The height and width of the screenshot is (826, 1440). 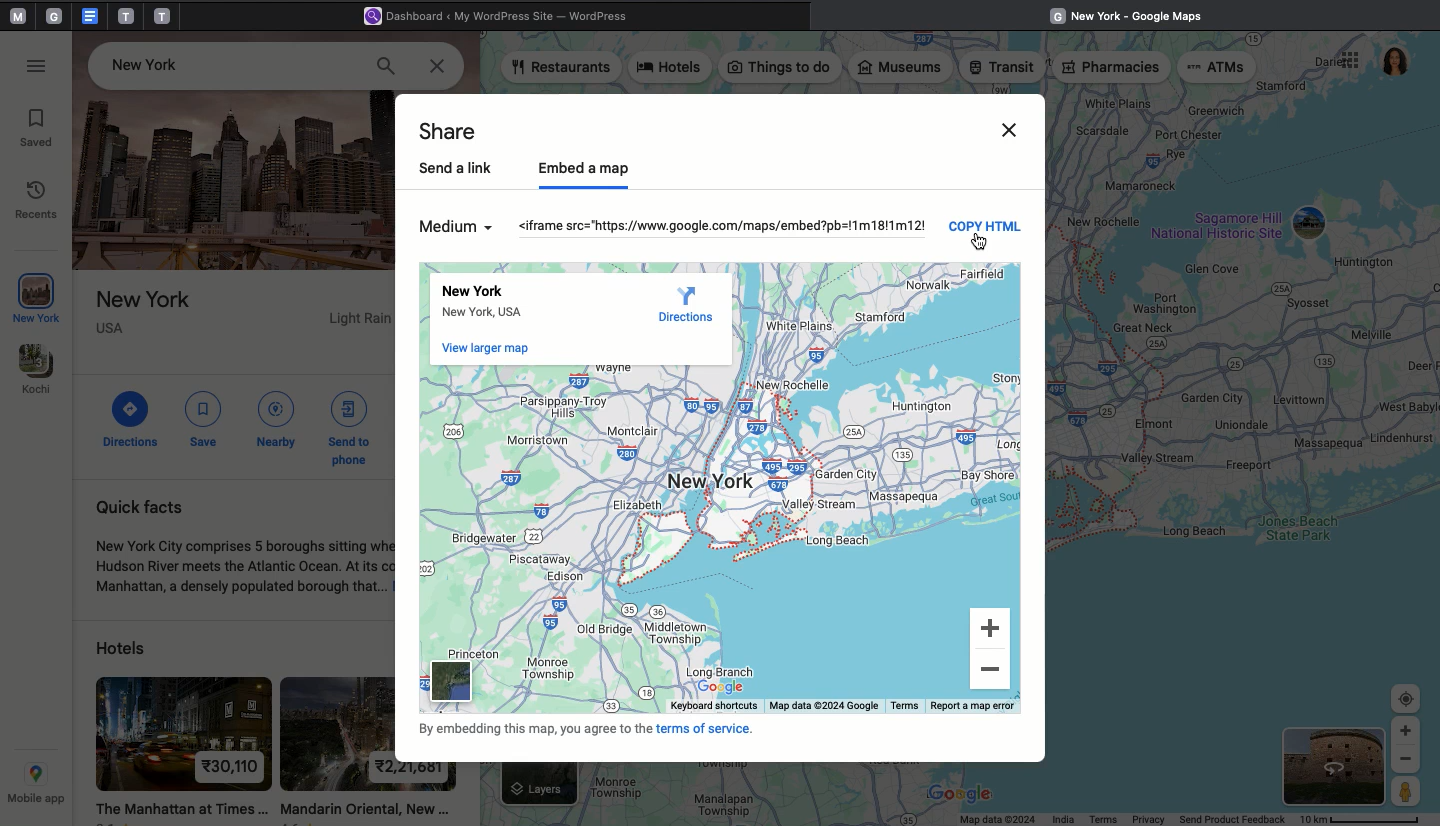 I want to click on Satelite, so click(x=1335, y=766).